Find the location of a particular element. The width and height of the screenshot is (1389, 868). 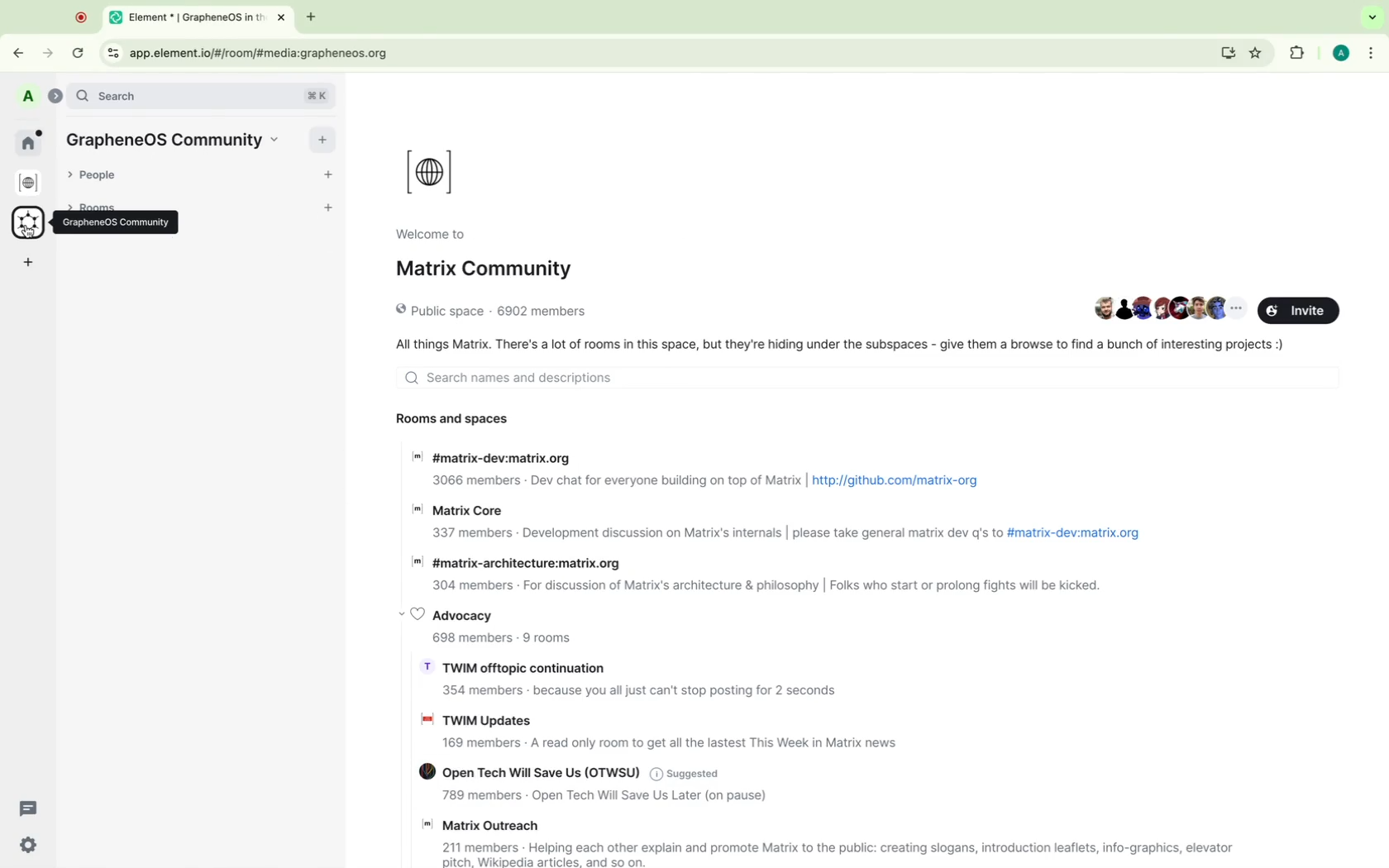

789 members - Open tech will save us later (on pause) is located at coordinates (597, 797).